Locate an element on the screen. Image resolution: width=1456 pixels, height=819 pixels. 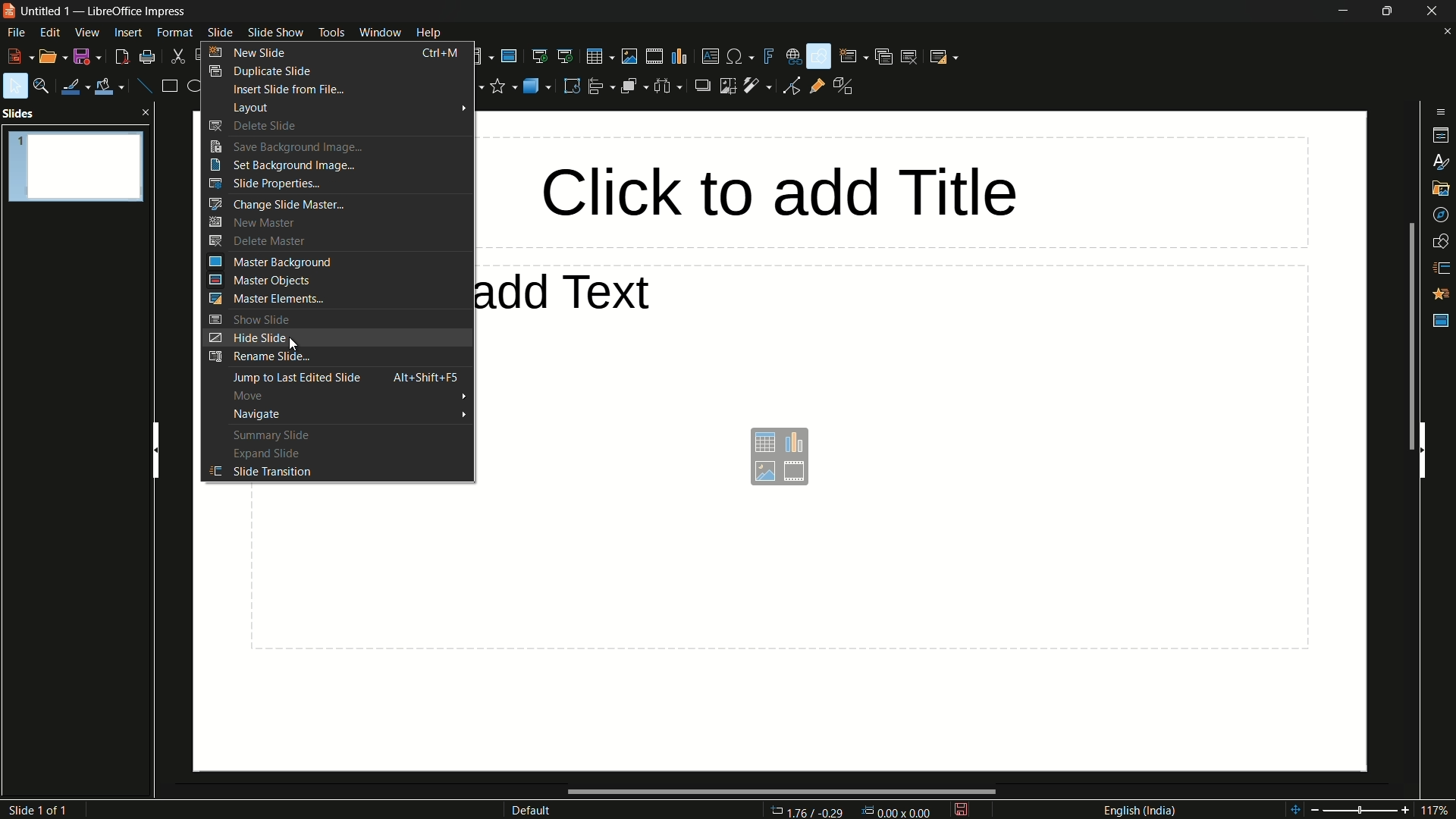
select at least 3 objects to distribute is located at coordinates (667, 86).